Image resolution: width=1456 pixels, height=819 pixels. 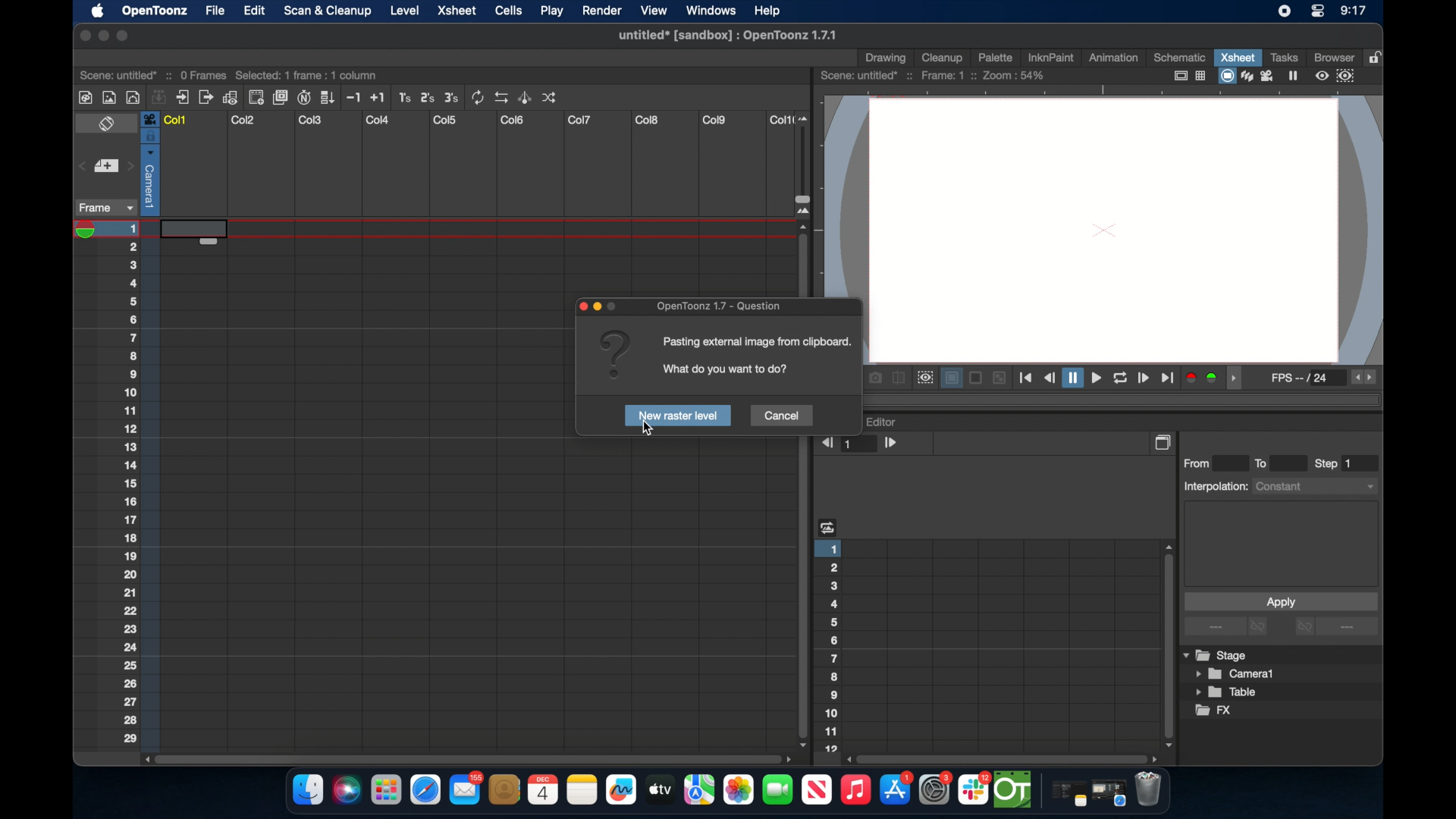 I want to click on animation, so click(x=1114, y=58).